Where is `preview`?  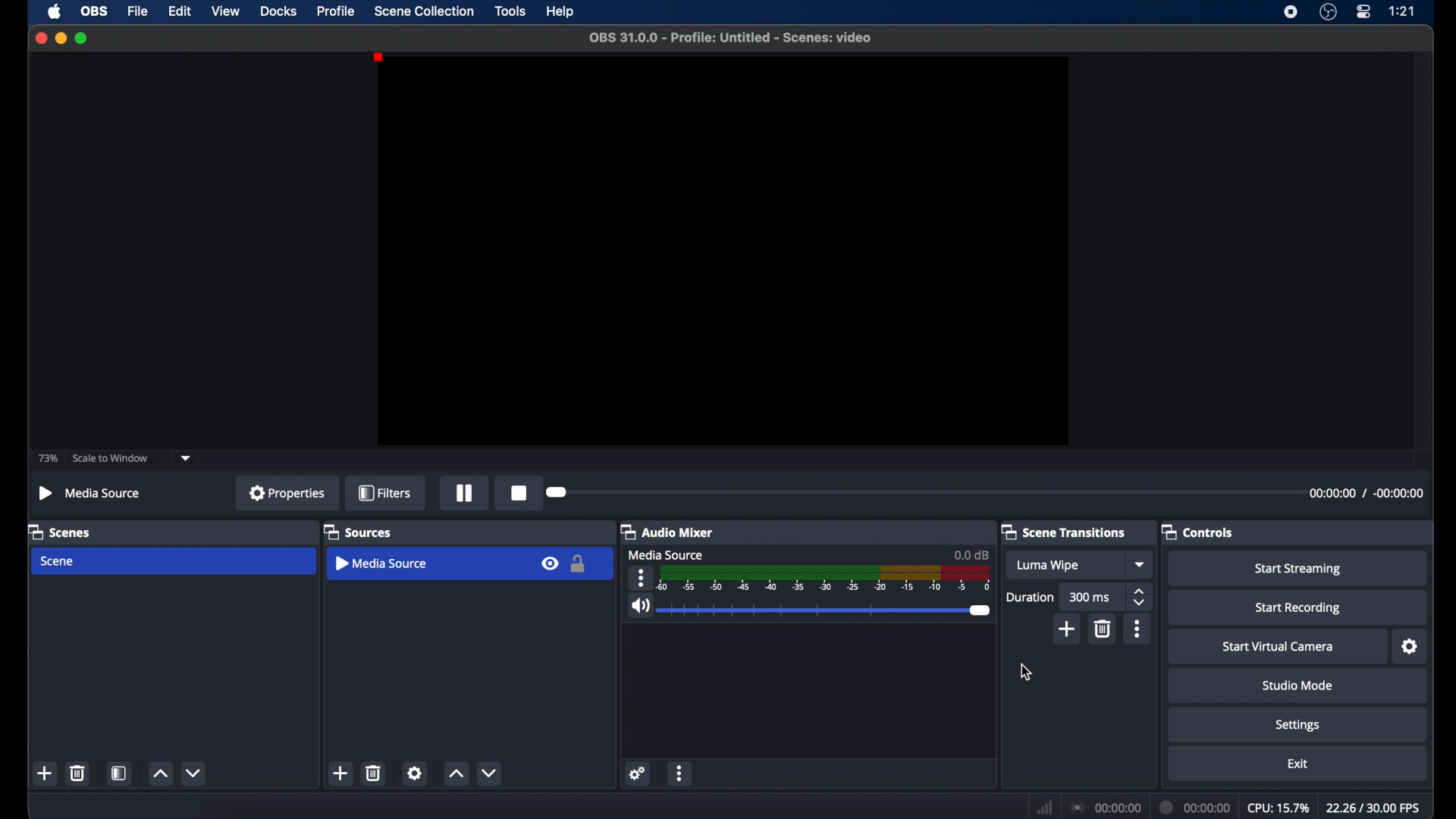 preview is located at coordinates (724, 253).